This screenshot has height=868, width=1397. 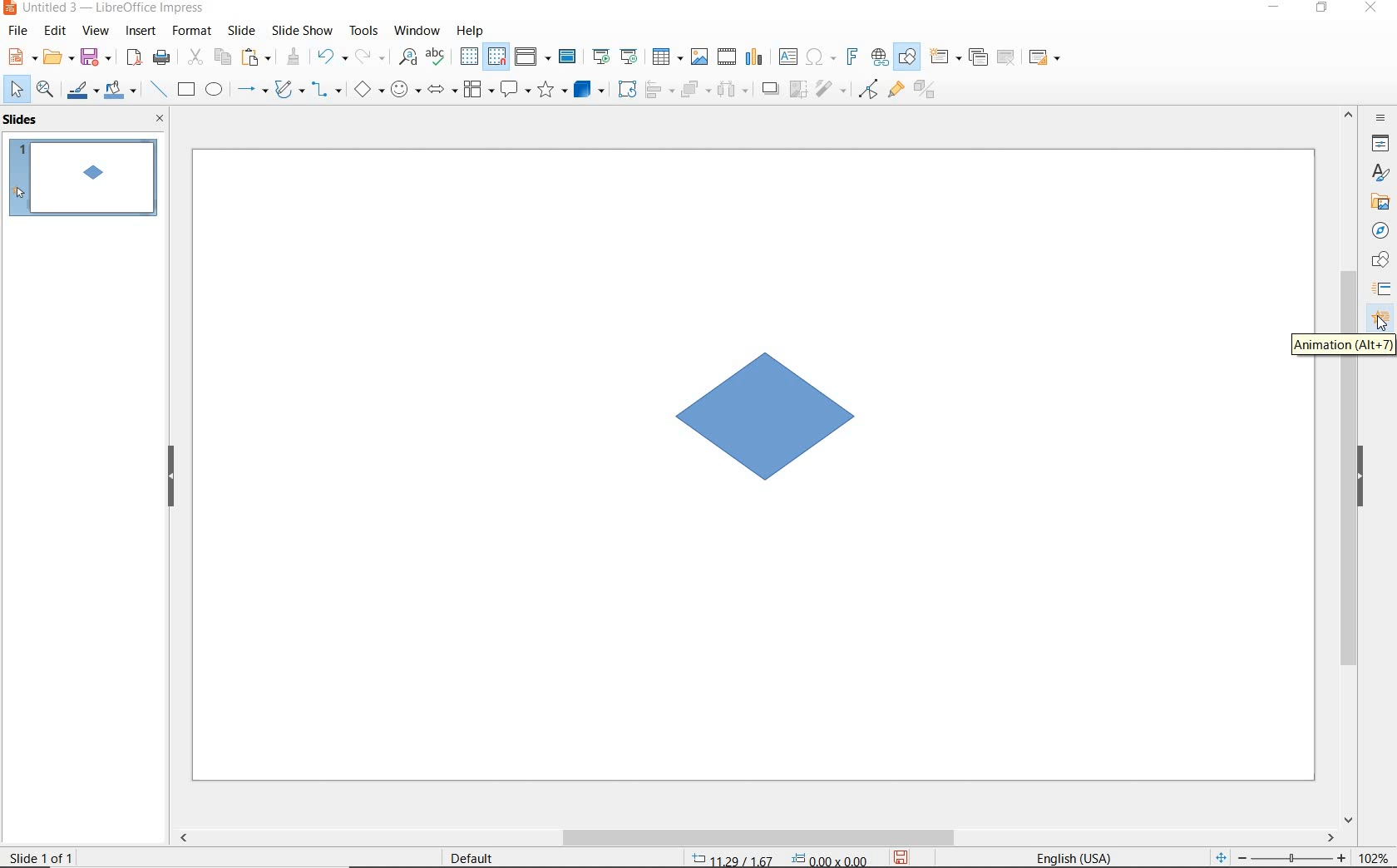 I want to click on styles, so click(x=1381, y=173).